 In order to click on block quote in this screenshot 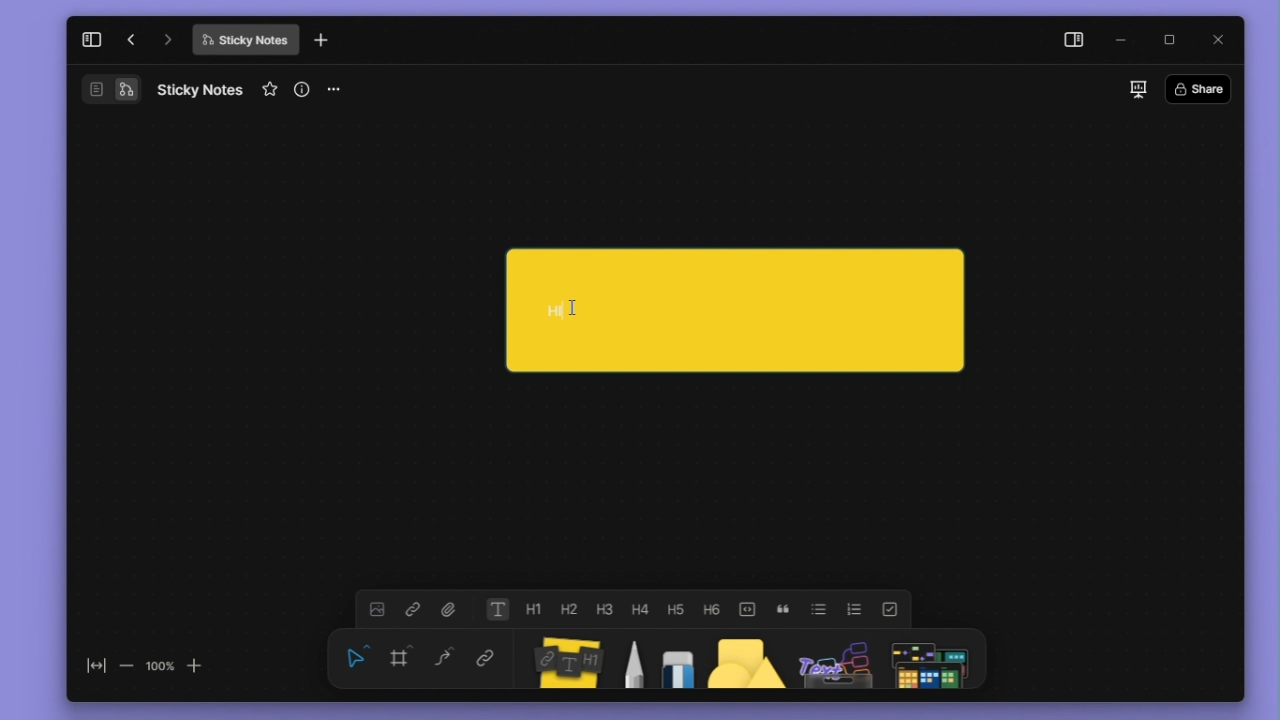, I will do `click(786, 611)`.